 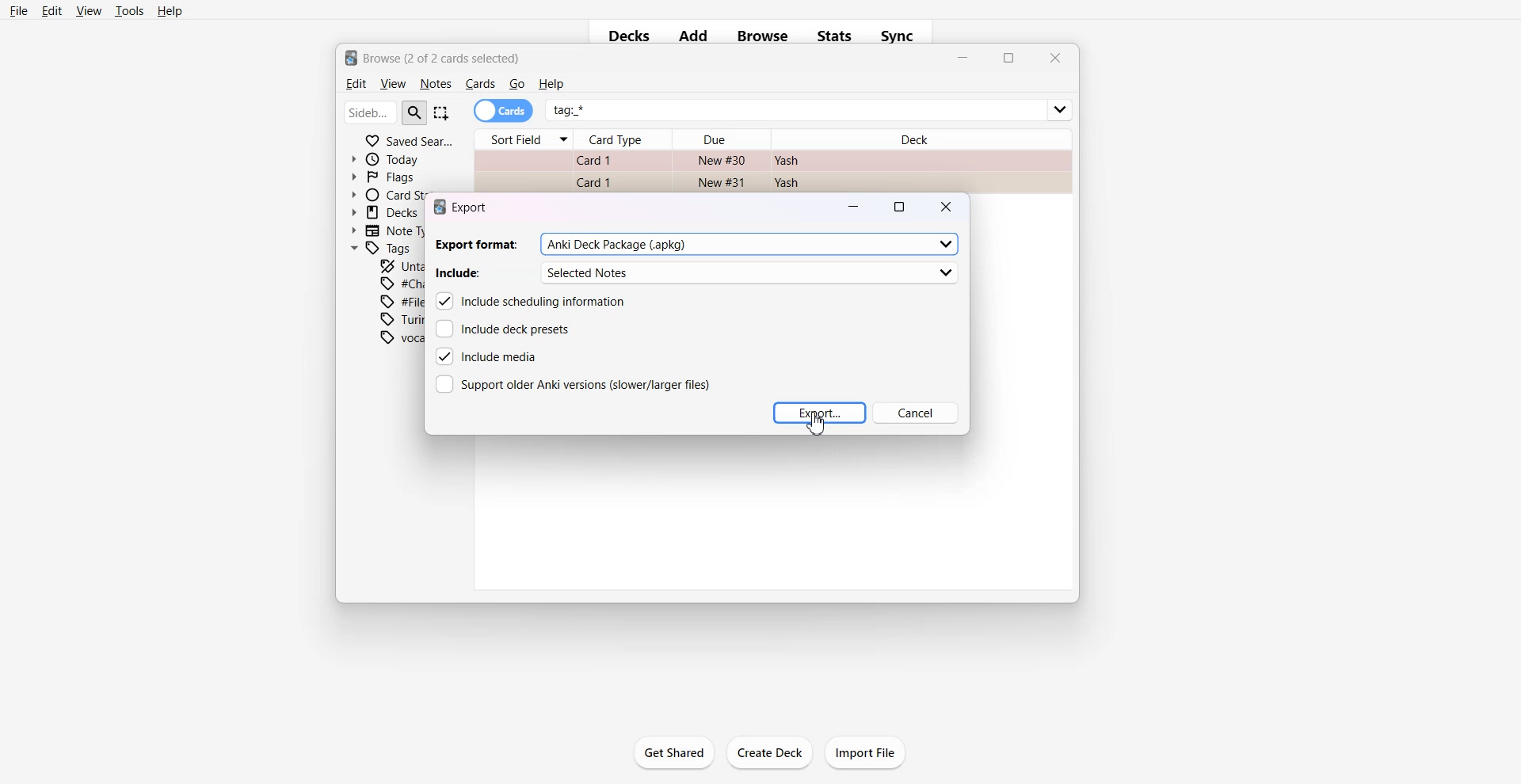 What do you see at coordinates (392, 84) in the screenshot?
I see `View` at bounding box center [392, 84].